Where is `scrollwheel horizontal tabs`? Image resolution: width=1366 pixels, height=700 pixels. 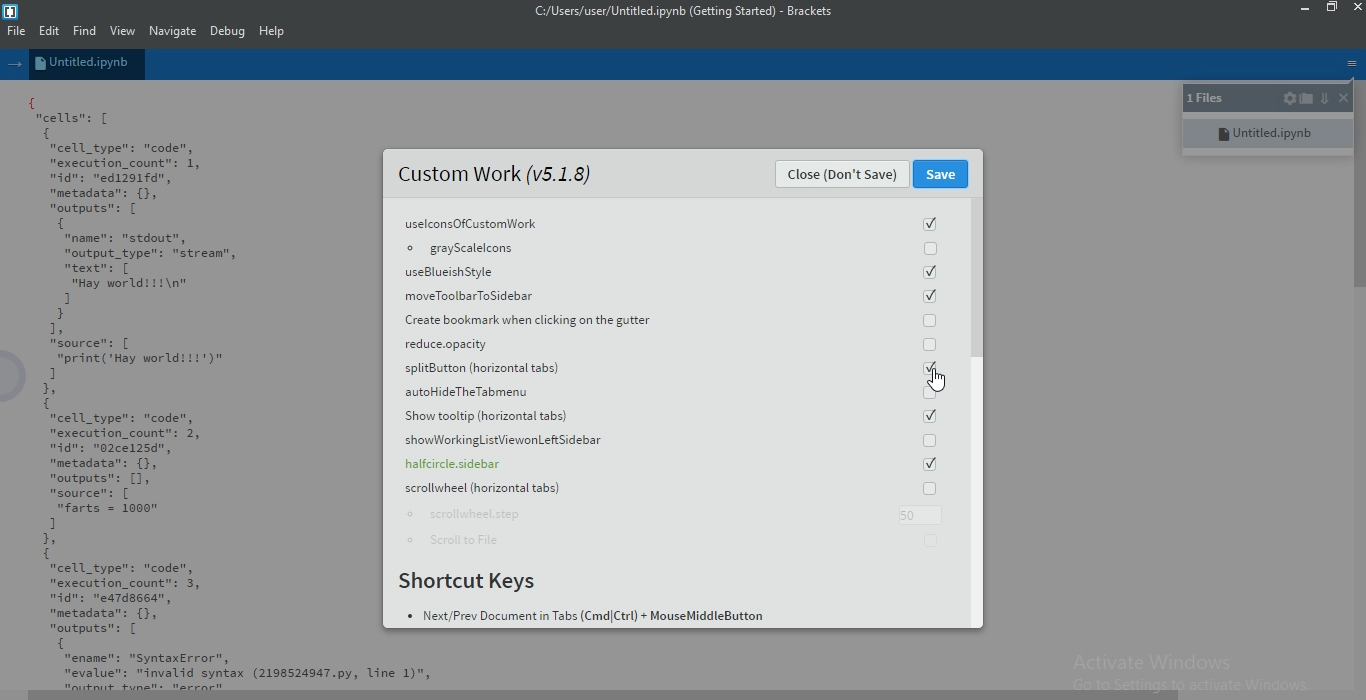 scrollwheel horizontal tabs is located at coordinates (666, 489).